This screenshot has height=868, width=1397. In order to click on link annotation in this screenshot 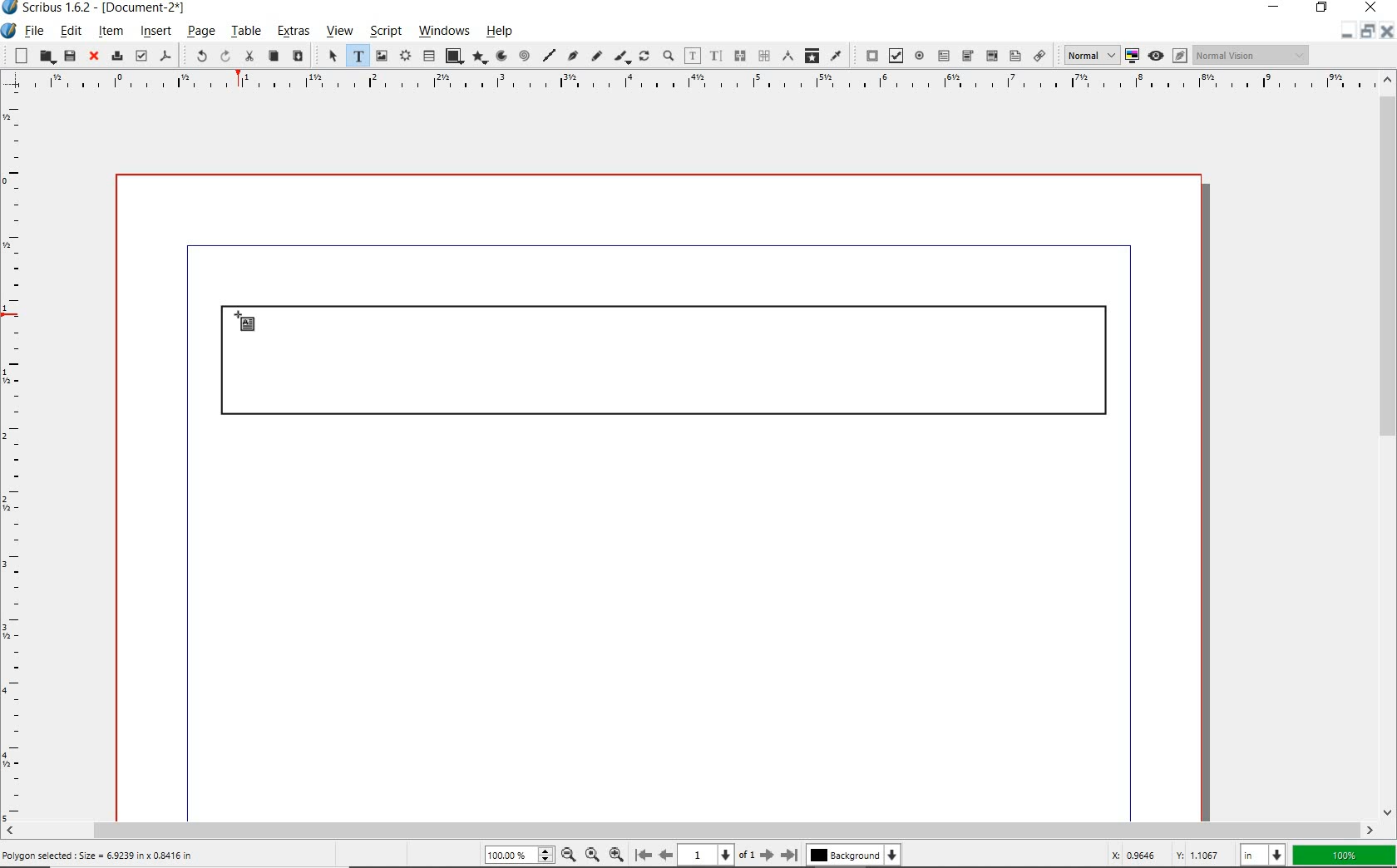, I will do `click(1039, 55)`.